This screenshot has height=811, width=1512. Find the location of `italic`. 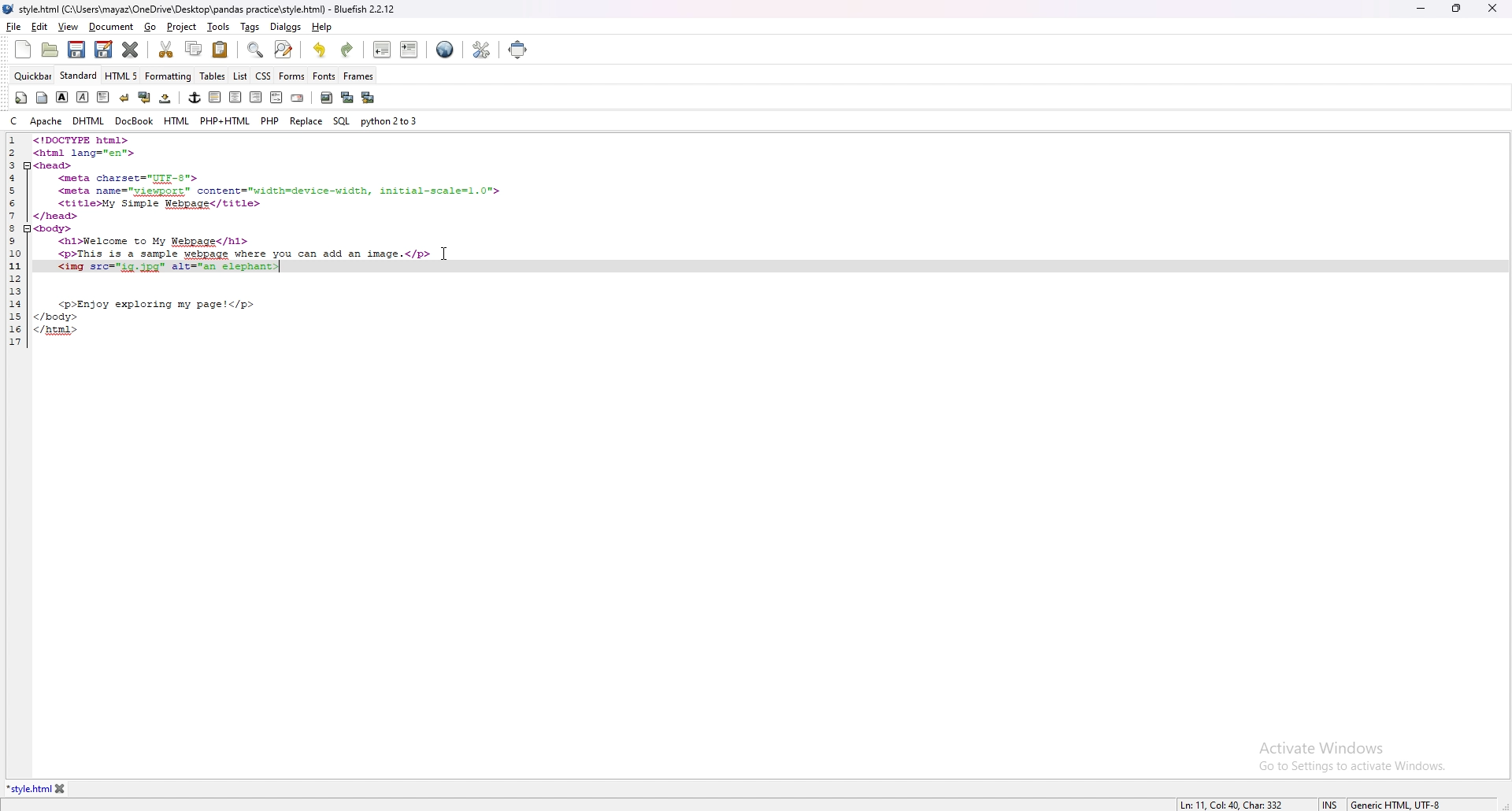

italic is located at coordinates (81, 98).